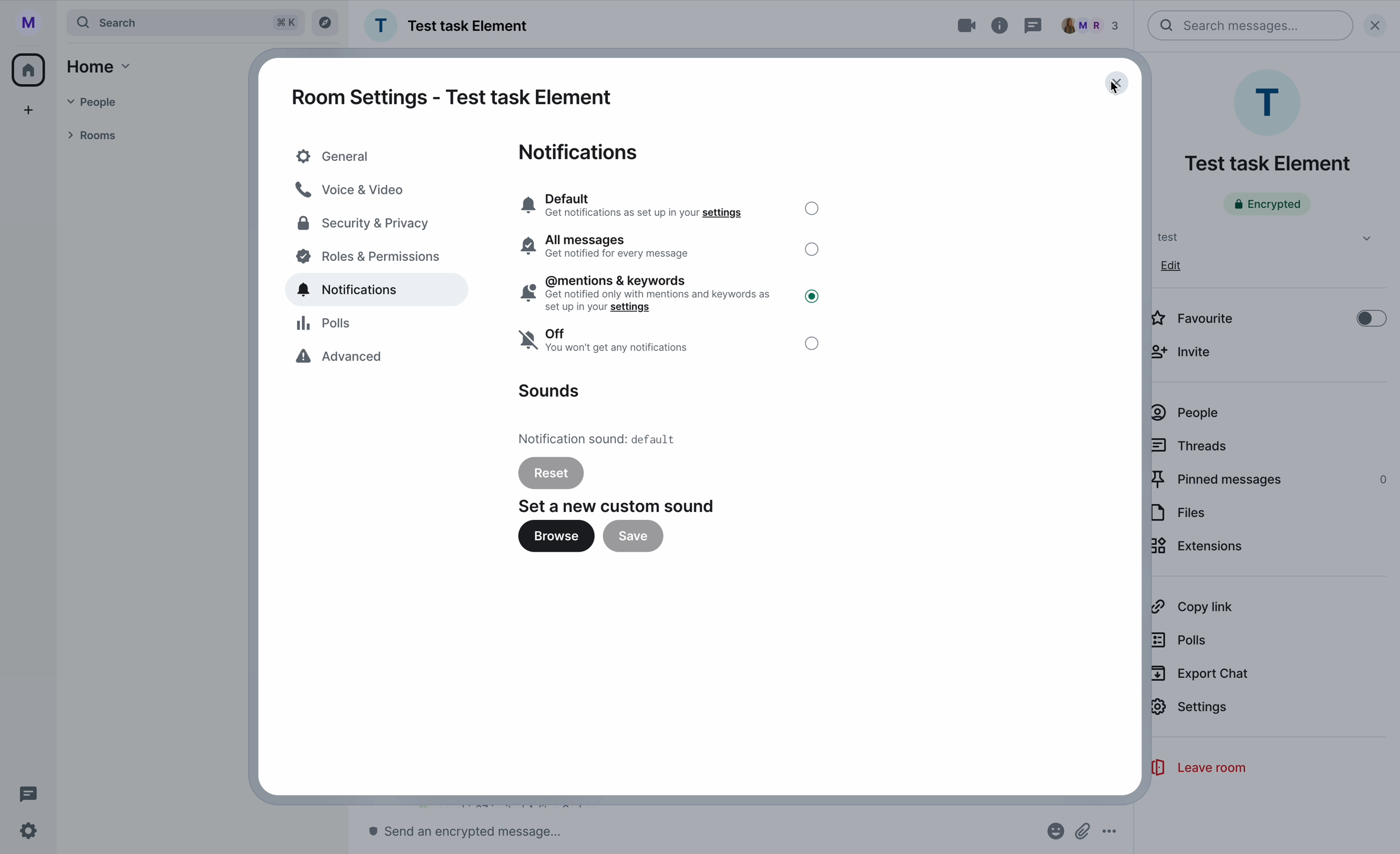 This screenshot has height=854, width=1400. Describe the element at coordinates (370, 259) in the screenshot. I see `poles and permissions` at that location.